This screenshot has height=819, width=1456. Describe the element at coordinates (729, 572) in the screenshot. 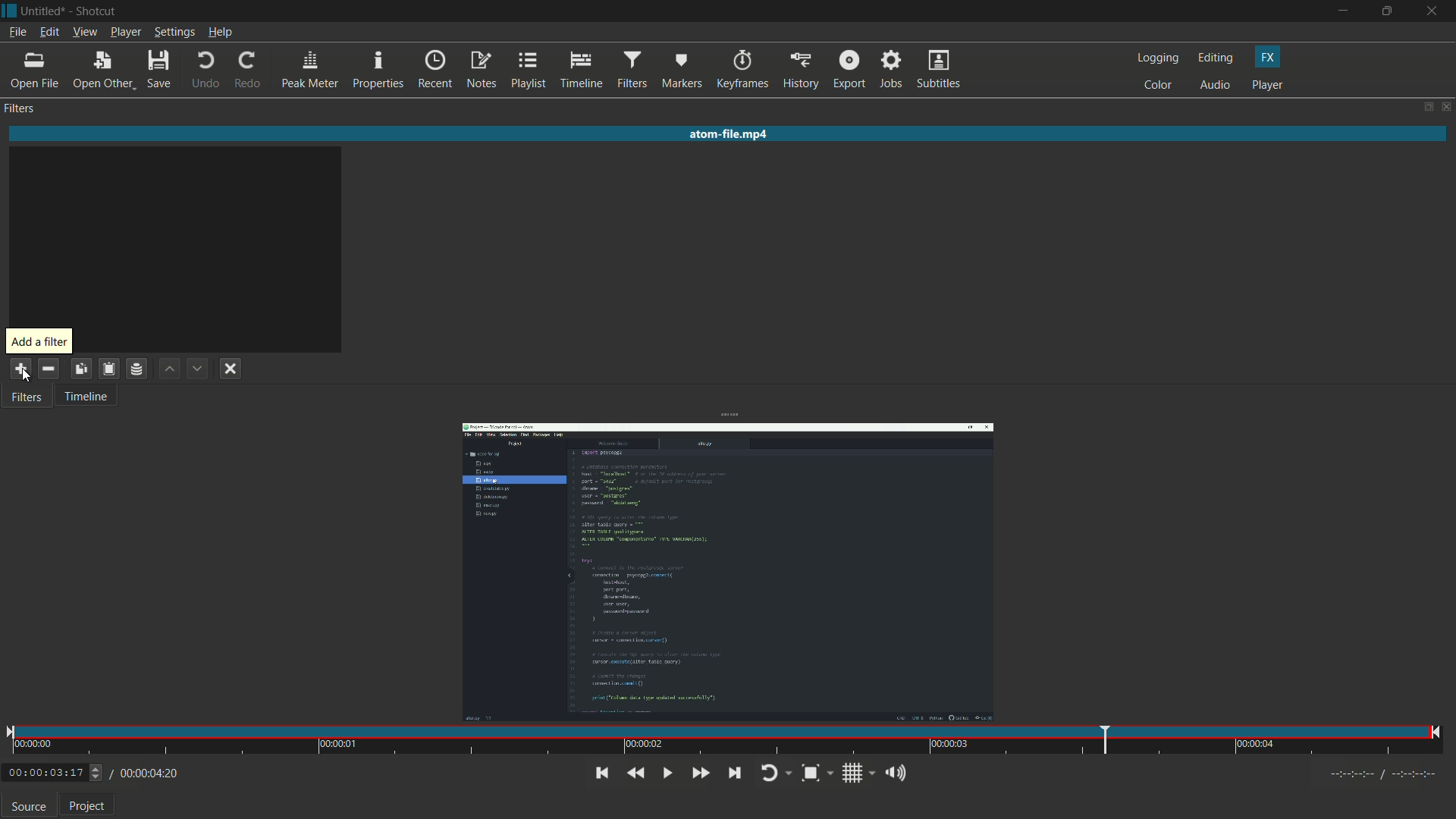

I see `imported video` at that location.